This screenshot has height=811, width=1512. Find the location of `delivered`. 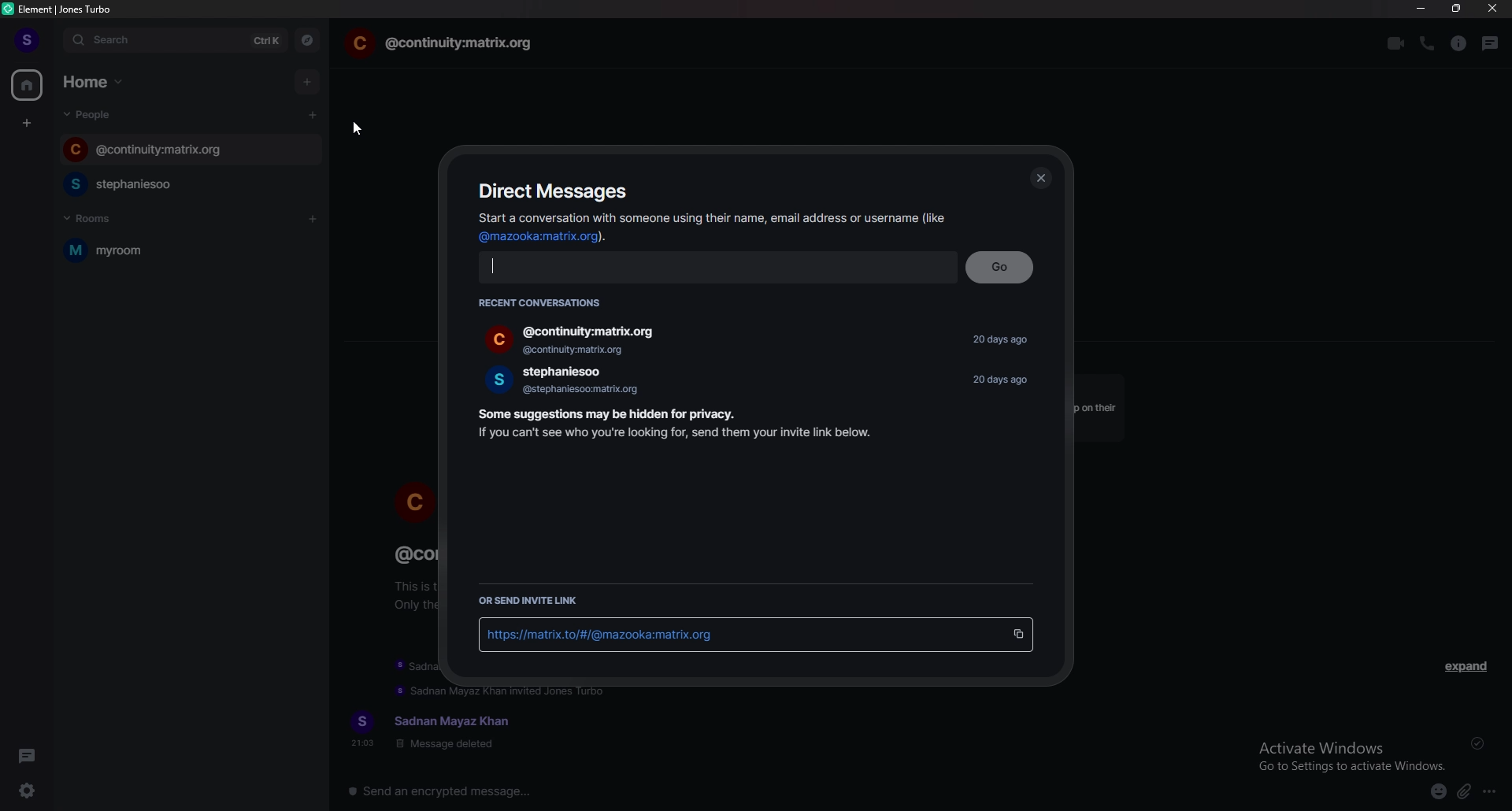

delivered is located at coordinates (1479, 743).